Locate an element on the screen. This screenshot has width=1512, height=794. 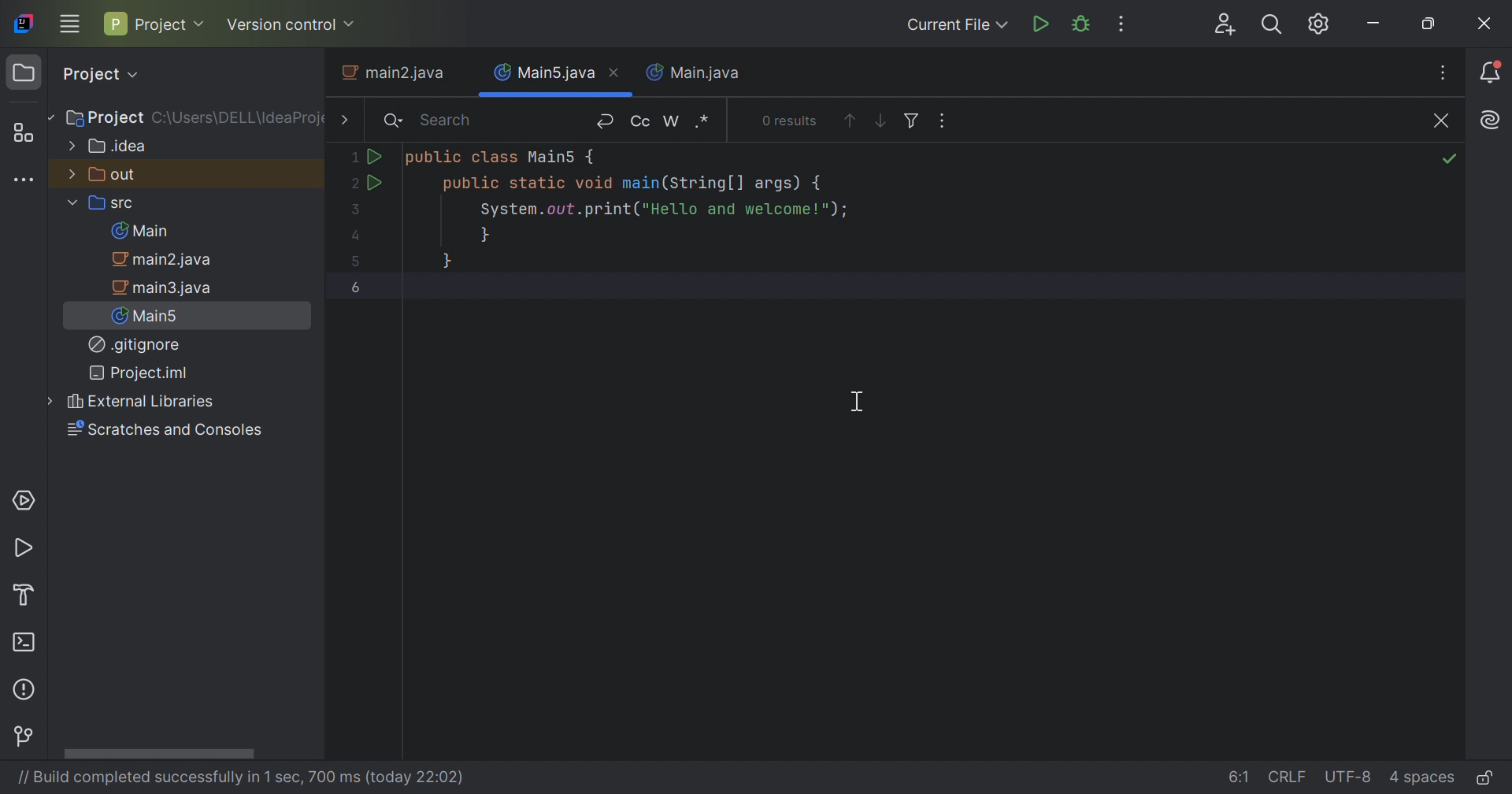
More tool windows is located at coordinates (22, 179).